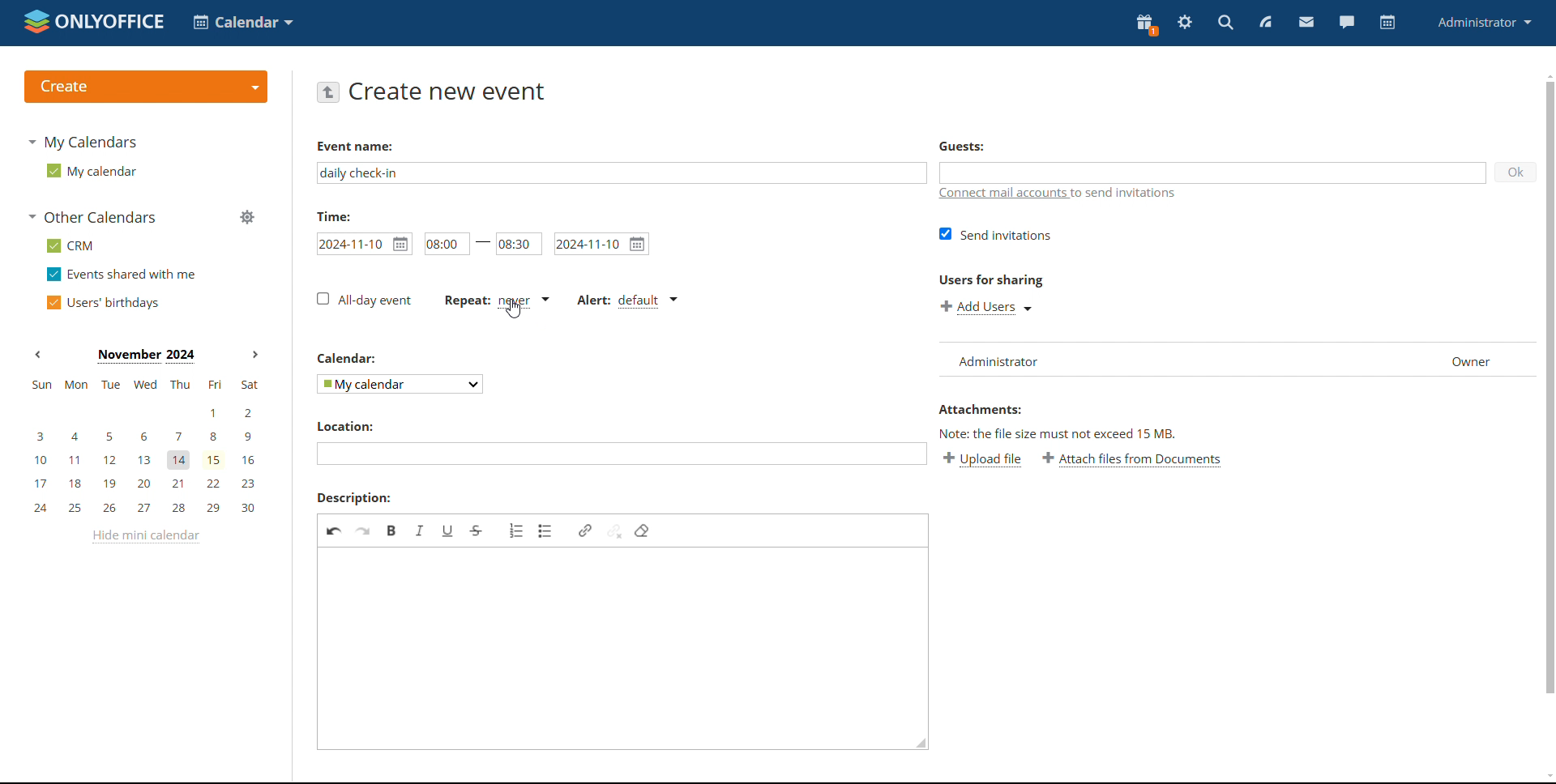  Describe the element at coordinates (998, 280) in the screenshot. I see `users for sharing:` at that location.